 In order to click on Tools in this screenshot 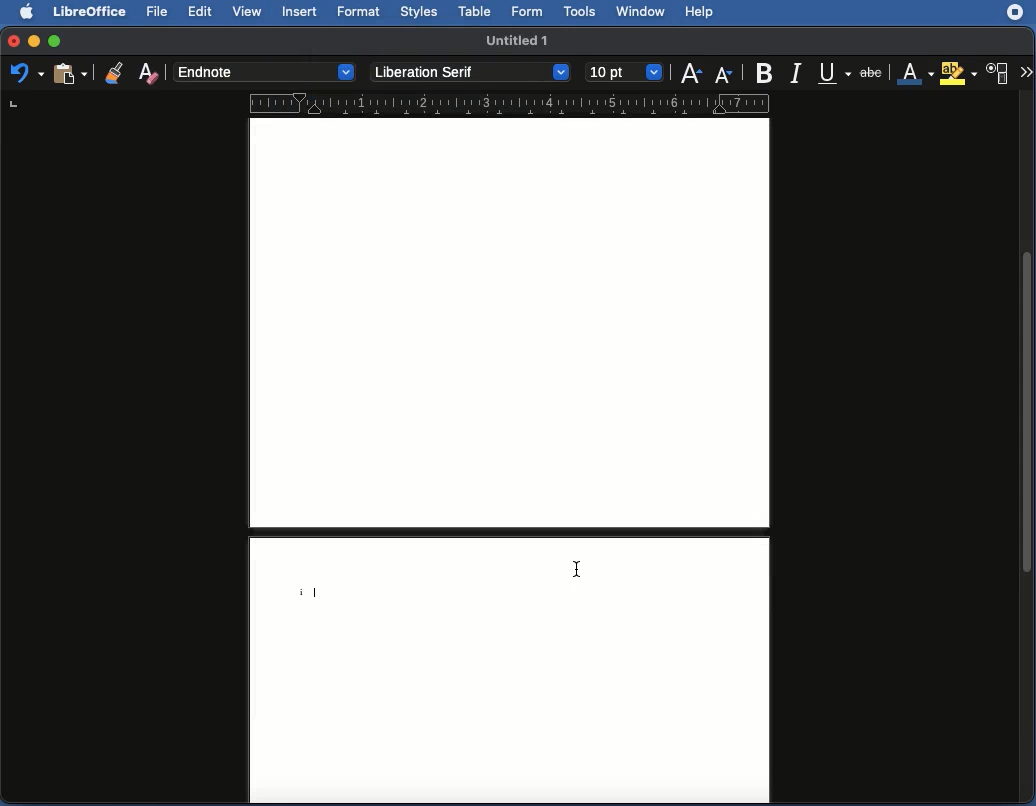, I will do `click(581, 12)`.